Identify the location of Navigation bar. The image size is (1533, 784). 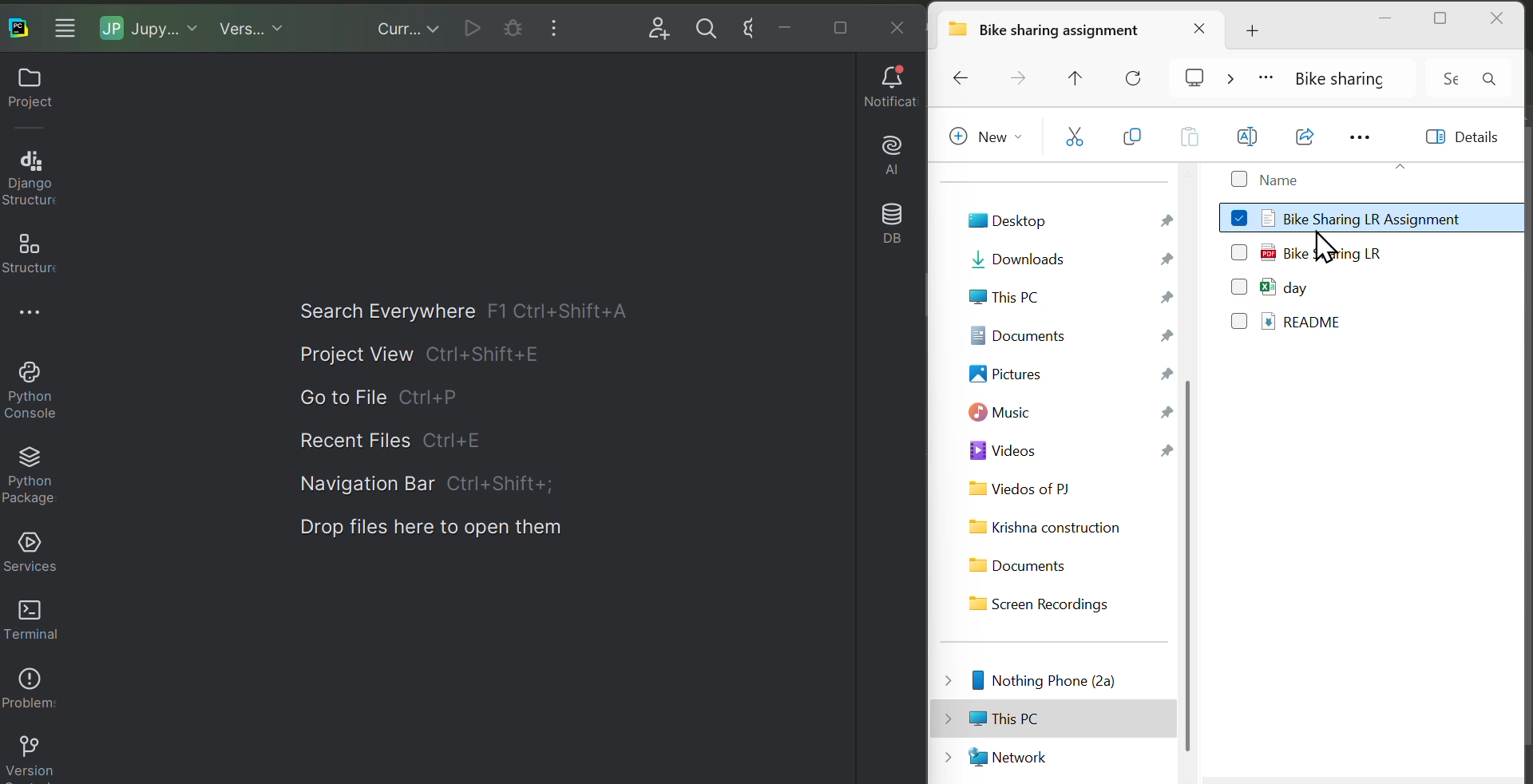
(466, 485).